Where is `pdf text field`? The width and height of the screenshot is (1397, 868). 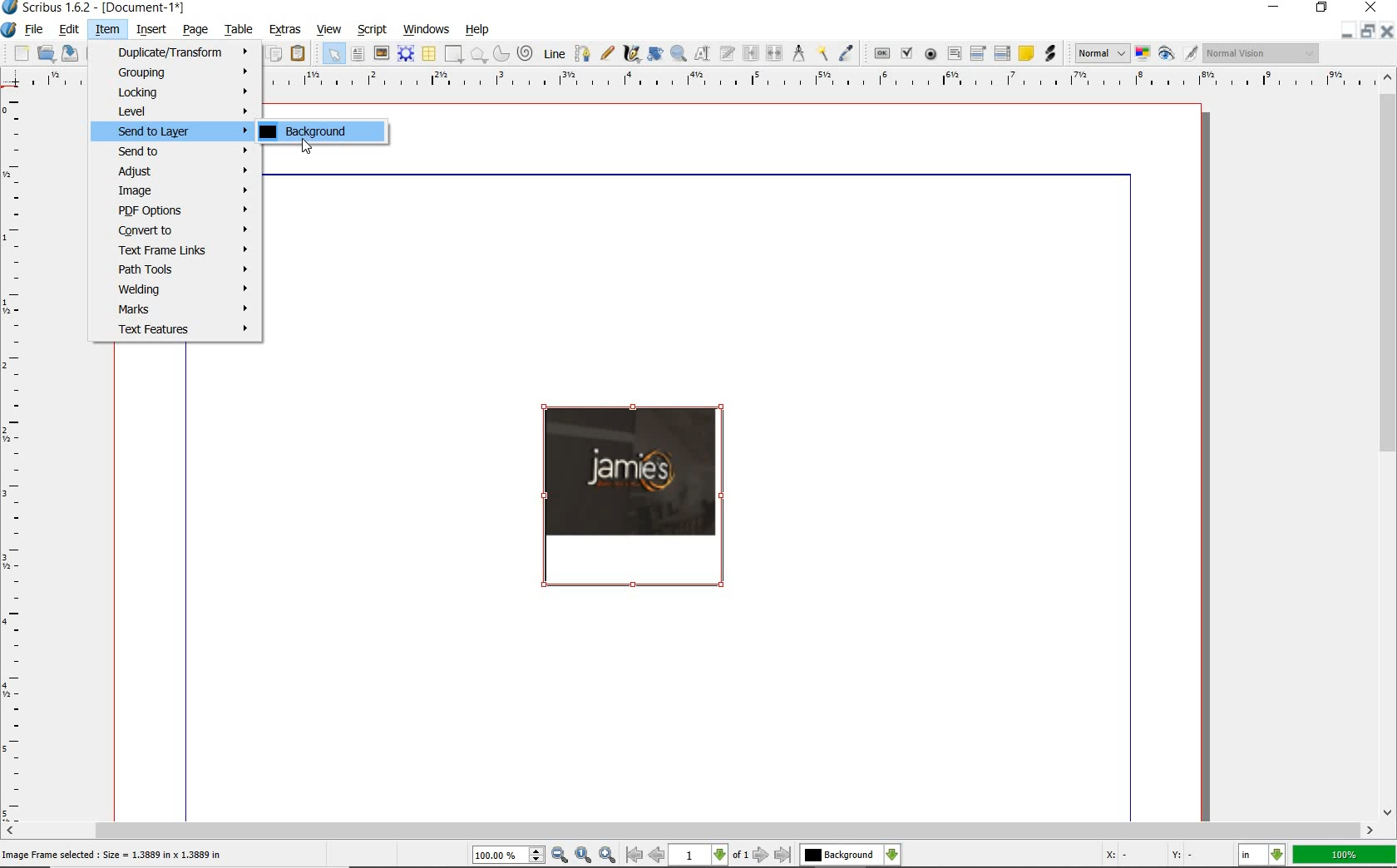 pdf text field is located at coordinates (953, 53).